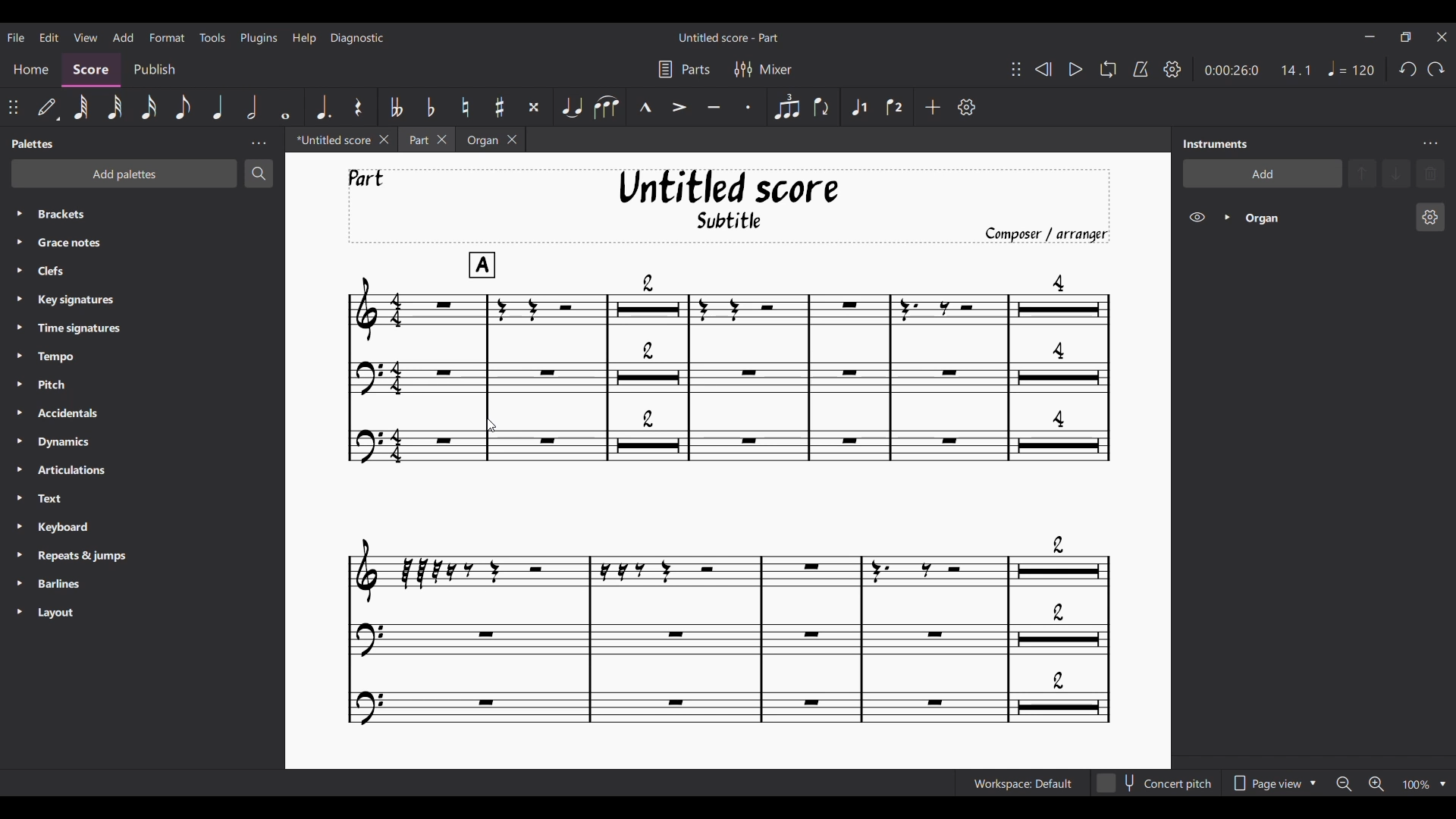 The height and width of the screenshot is (819, 1456). What do you see at coordinates (49, 36) in the screenshot?
I see `Edit menu` at bounding box center [49, 36].